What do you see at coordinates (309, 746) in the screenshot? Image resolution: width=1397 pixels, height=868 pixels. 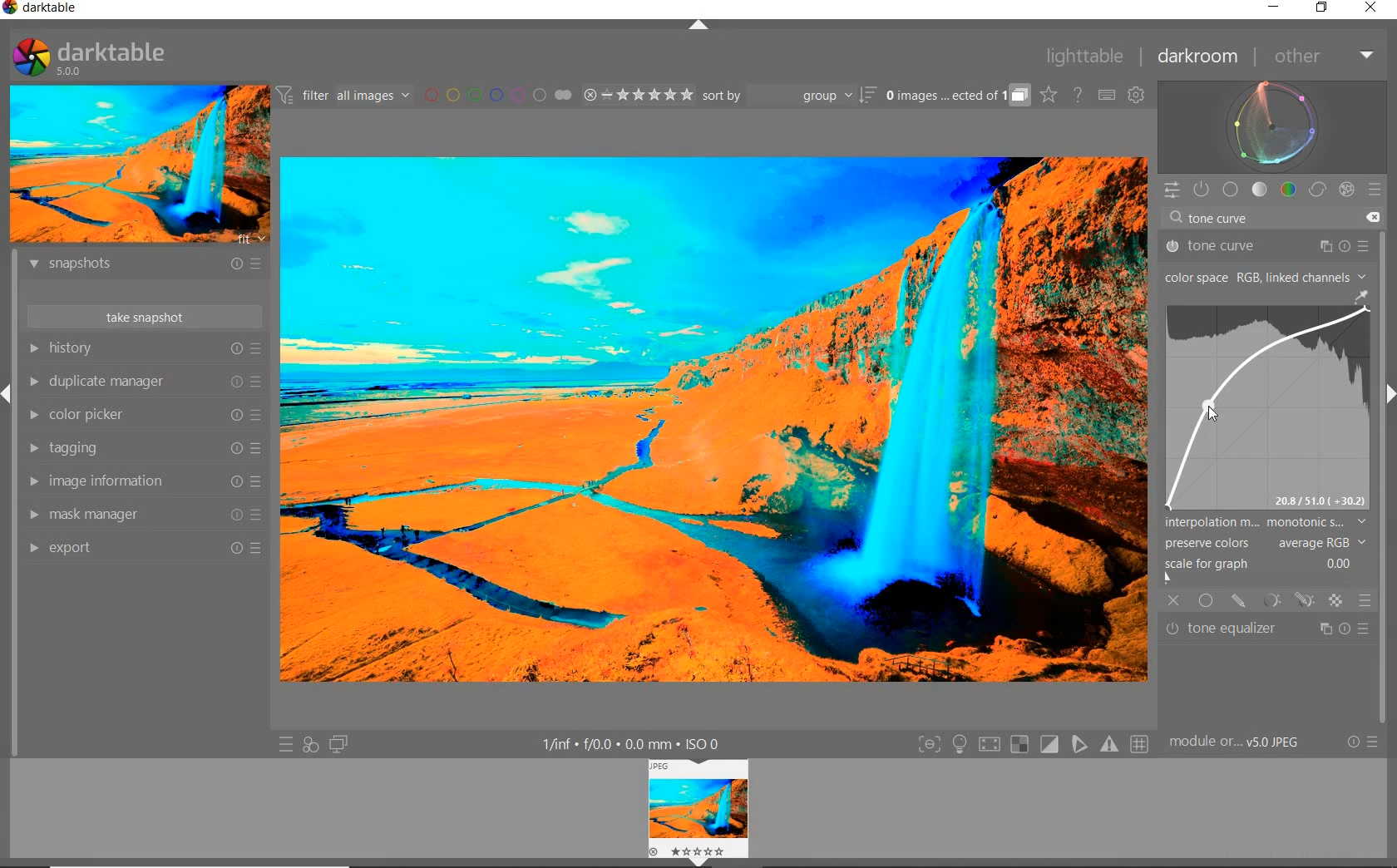 I see `QUICK ACCESS FOR APPLYING ANY OF YOUR STYLES` at bounding box center [309, 746].